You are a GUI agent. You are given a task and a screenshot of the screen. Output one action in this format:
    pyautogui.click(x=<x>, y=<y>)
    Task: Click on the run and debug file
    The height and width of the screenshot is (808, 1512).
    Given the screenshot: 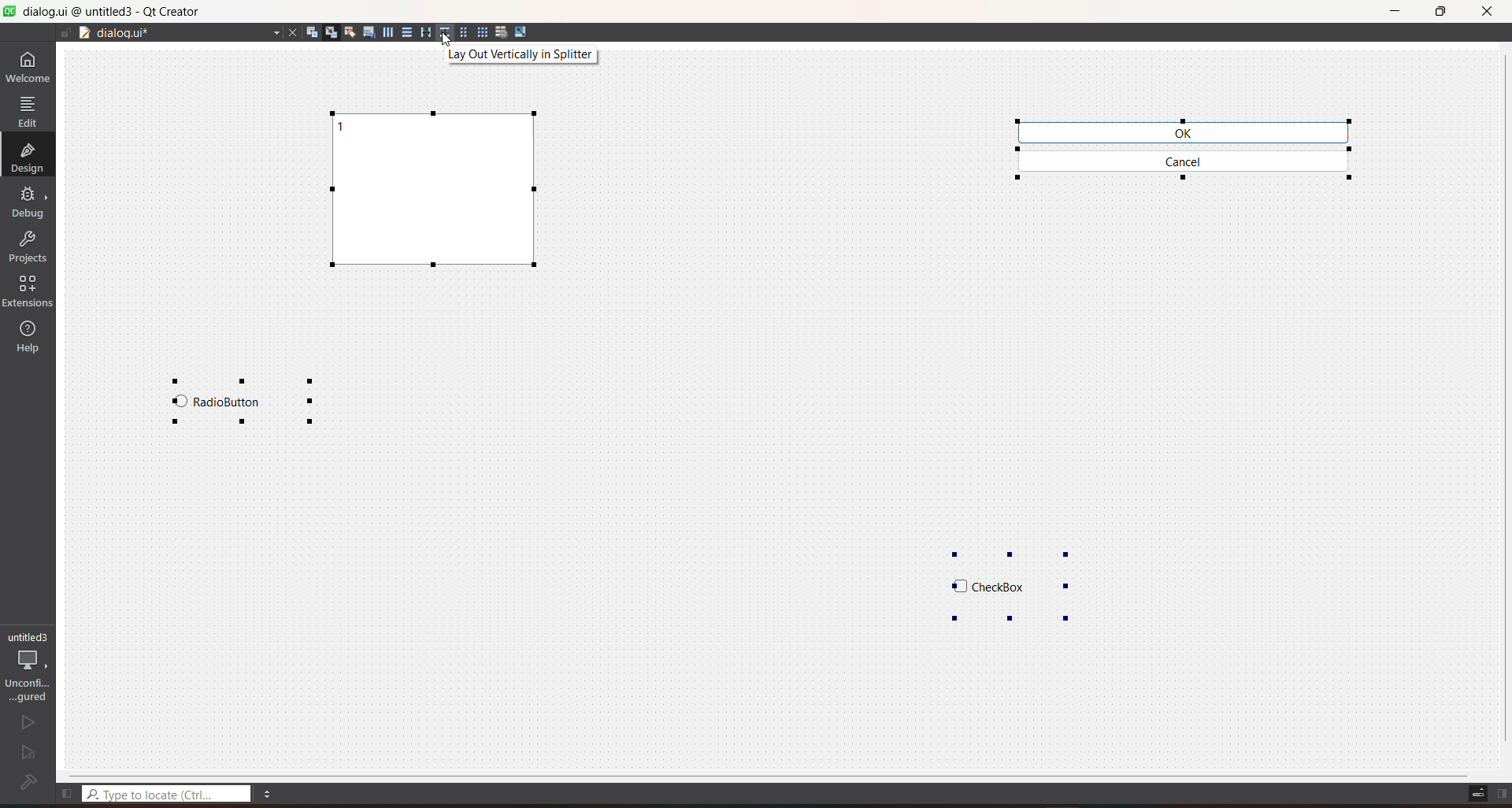 What is the action you would take?
    pyautogui.click(x=25, y=751)
    